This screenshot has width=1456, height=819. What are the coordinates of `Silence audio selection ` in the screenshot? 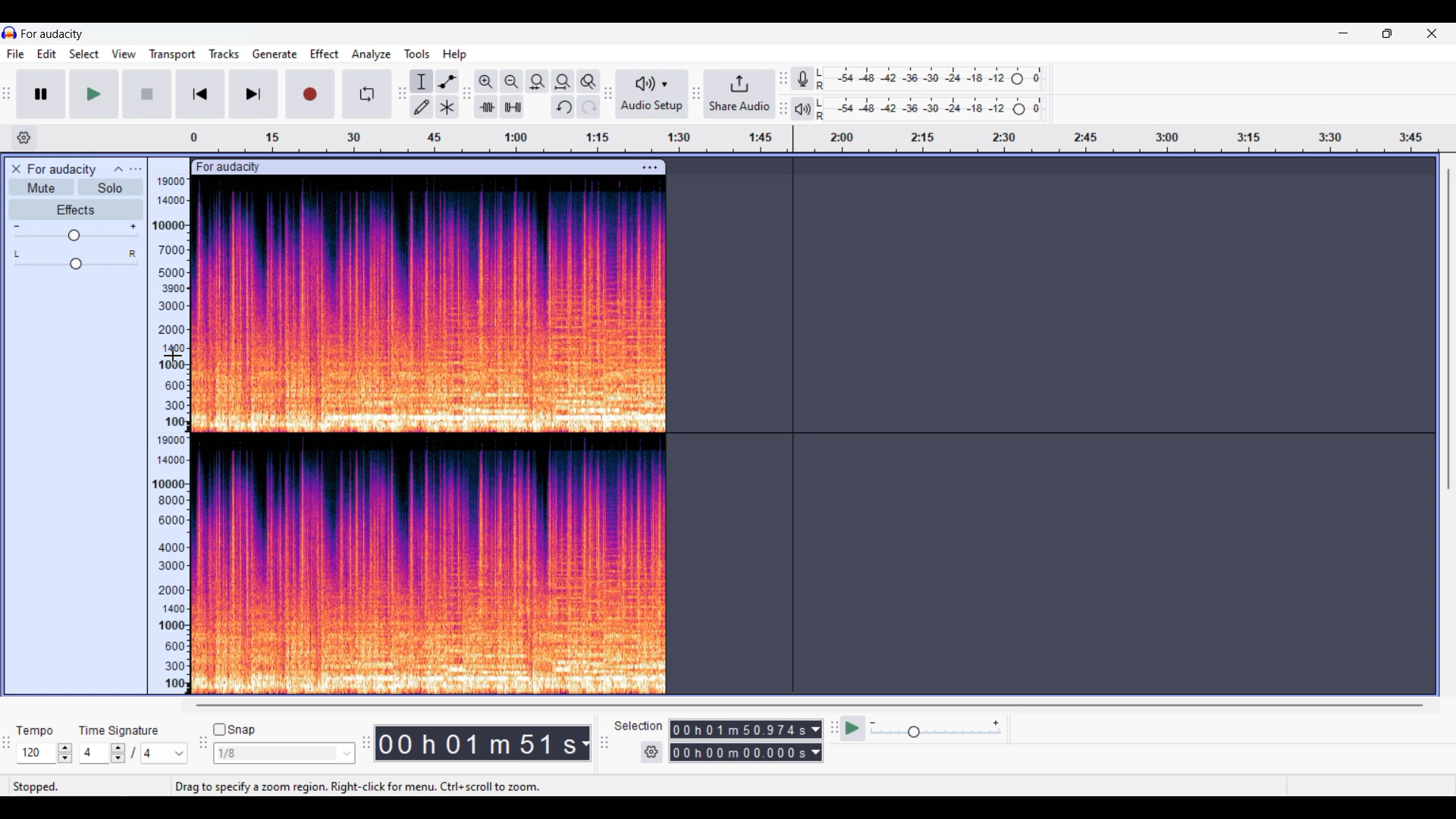 It's located at (512, 107).